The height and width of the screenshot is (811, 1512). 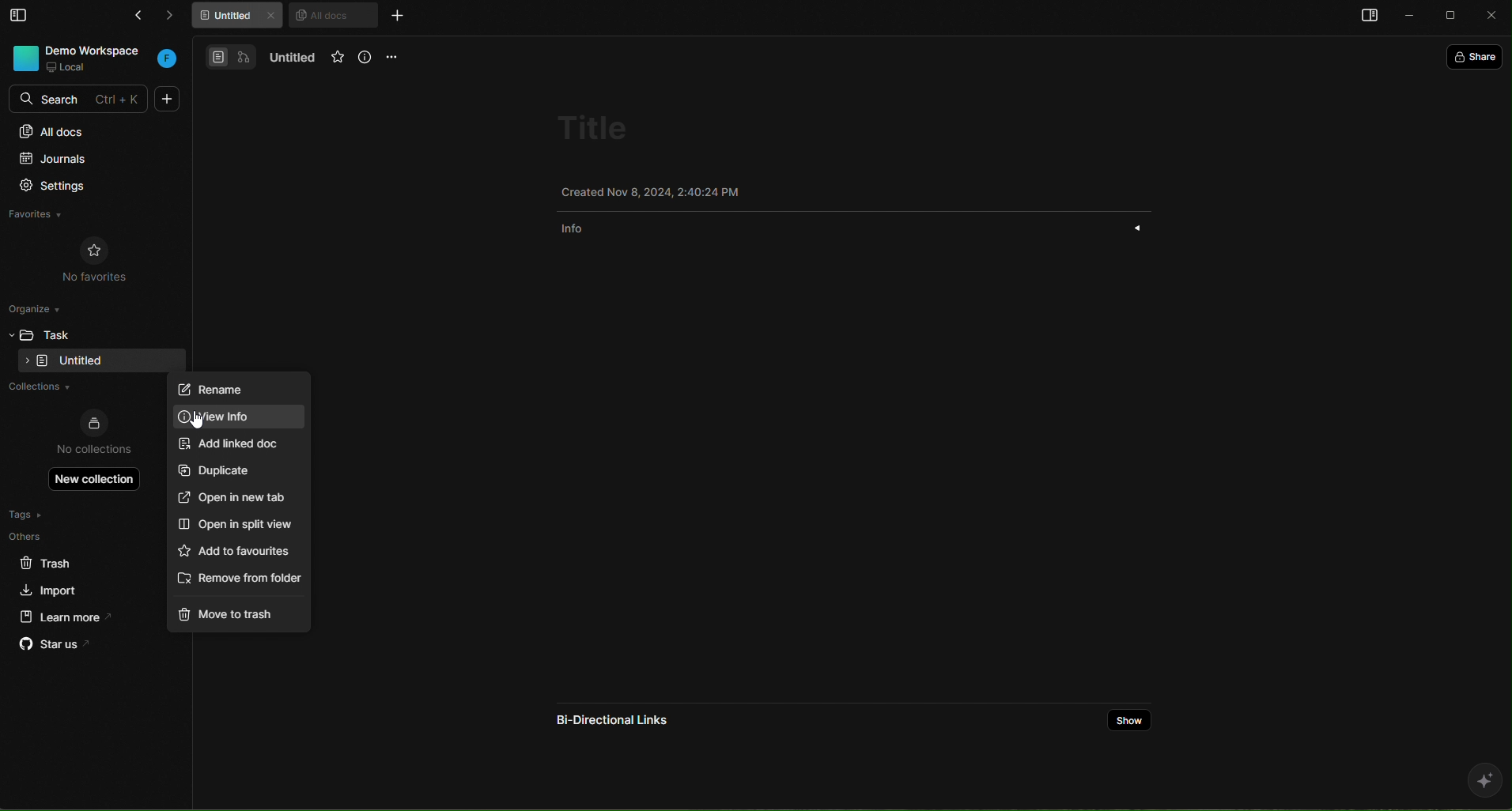 What do you see at coordinates (229, 613) in the screenshot?
I see `move to trash` at bounding box center [229, 613].